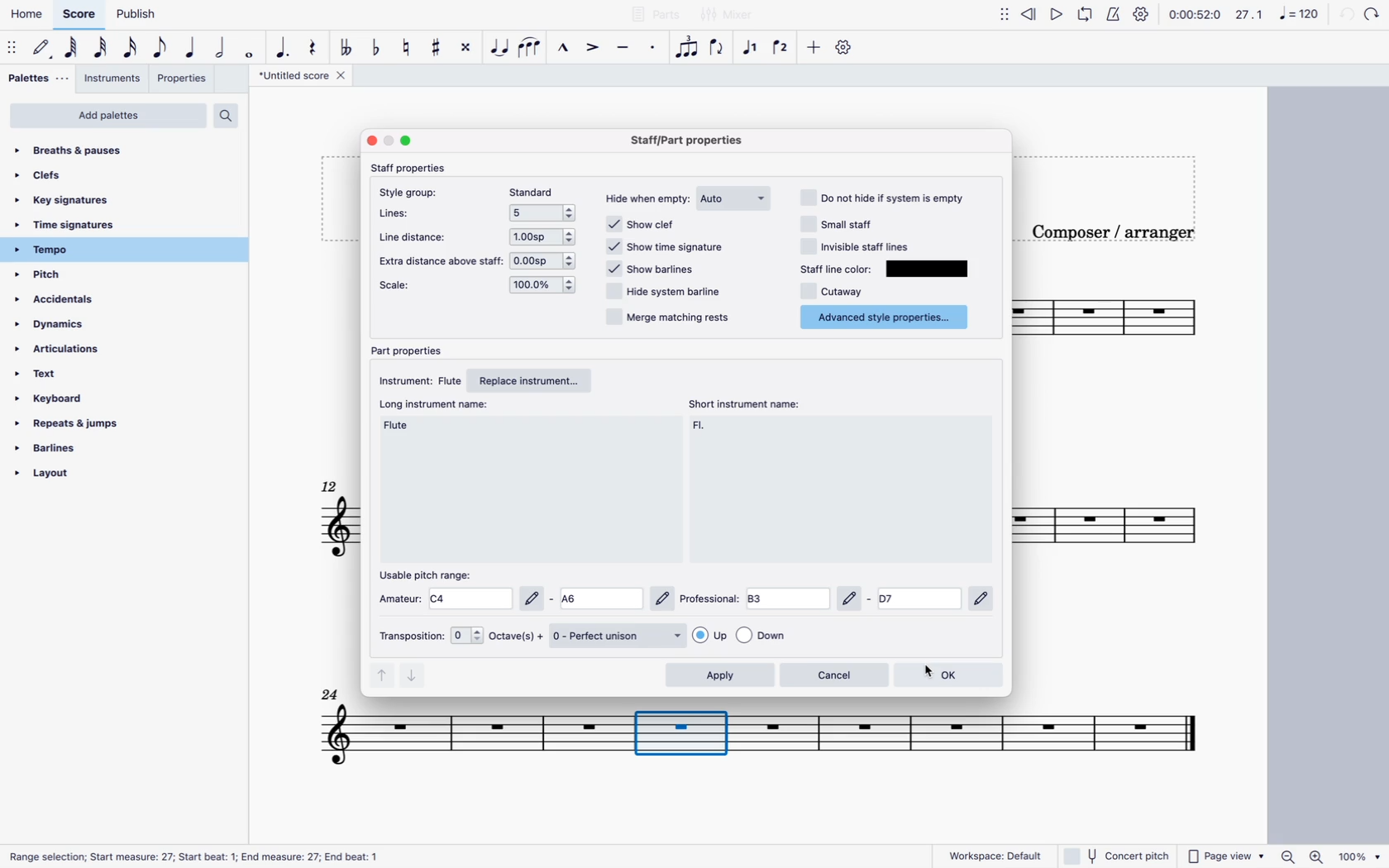 The width and height of the screenshot is (1389, 868). What do you see at coordinates (787, 45) in the screenshot?
I see `voice 2` at bounding box center [787, 45].